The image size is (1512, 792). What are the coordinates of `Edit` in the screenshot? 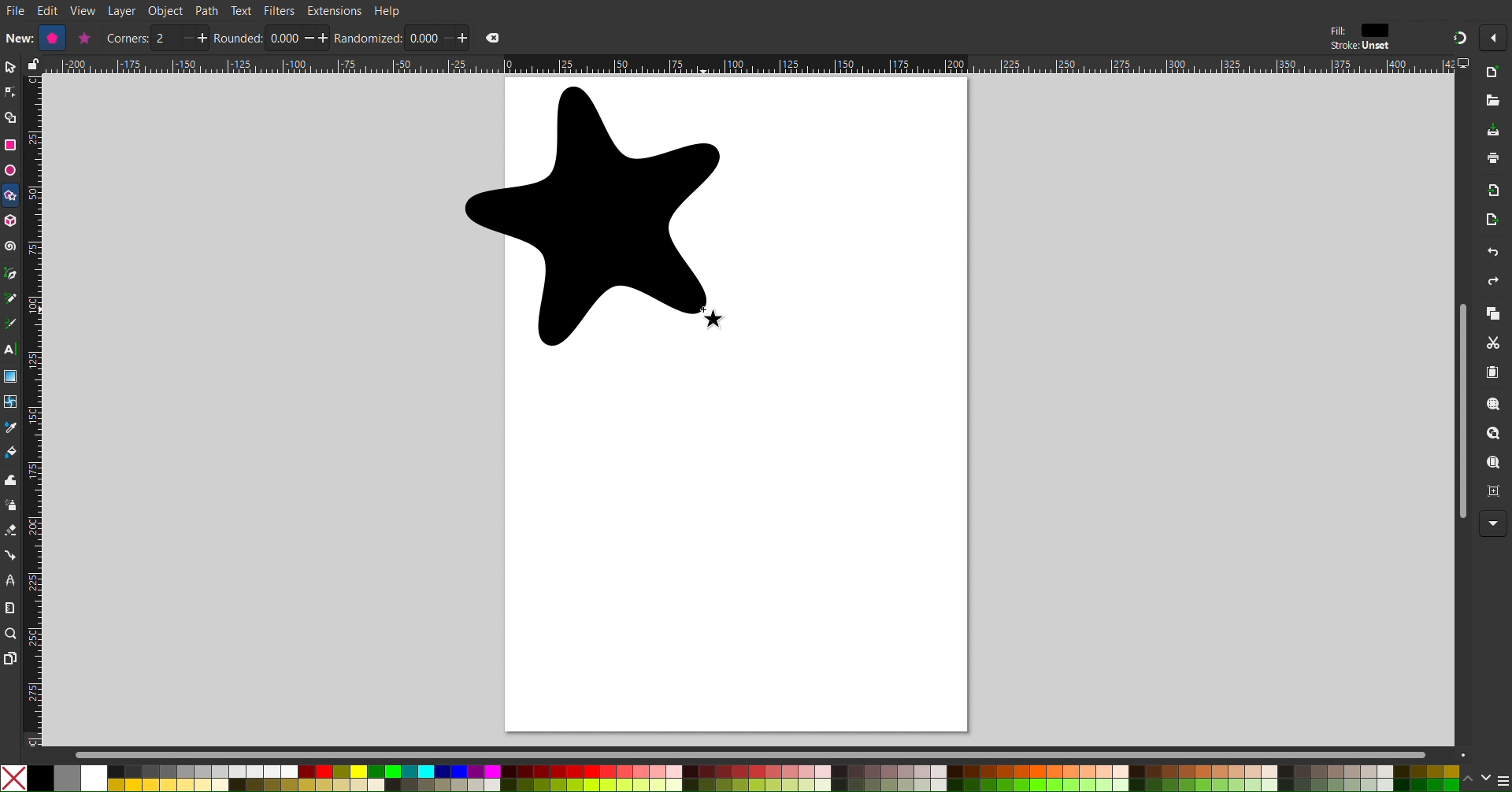 It's located at (50, 11).